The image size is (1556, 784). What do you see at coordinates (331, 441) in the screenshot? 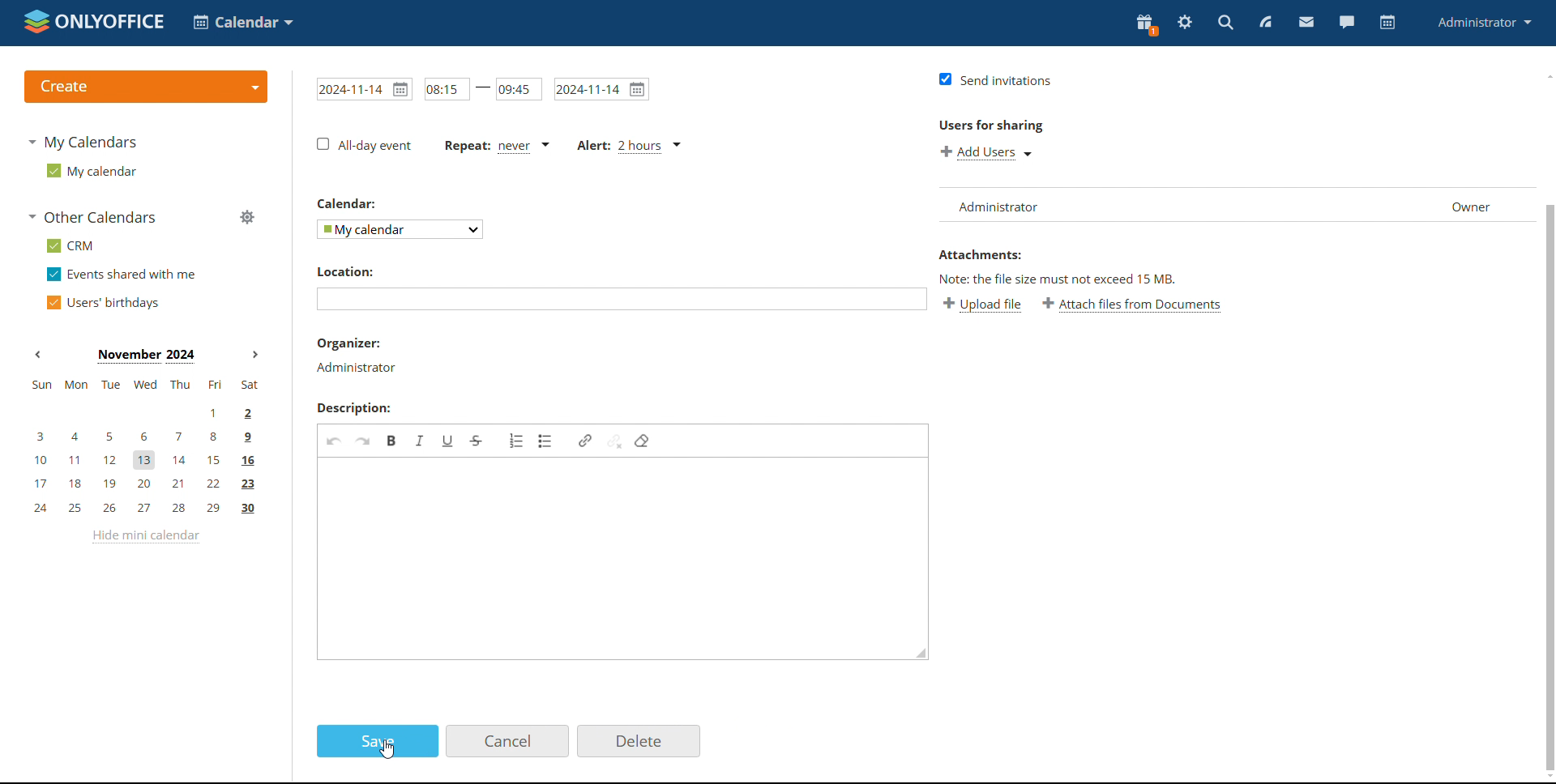
I see `undo` at bounding box center [331, 441].